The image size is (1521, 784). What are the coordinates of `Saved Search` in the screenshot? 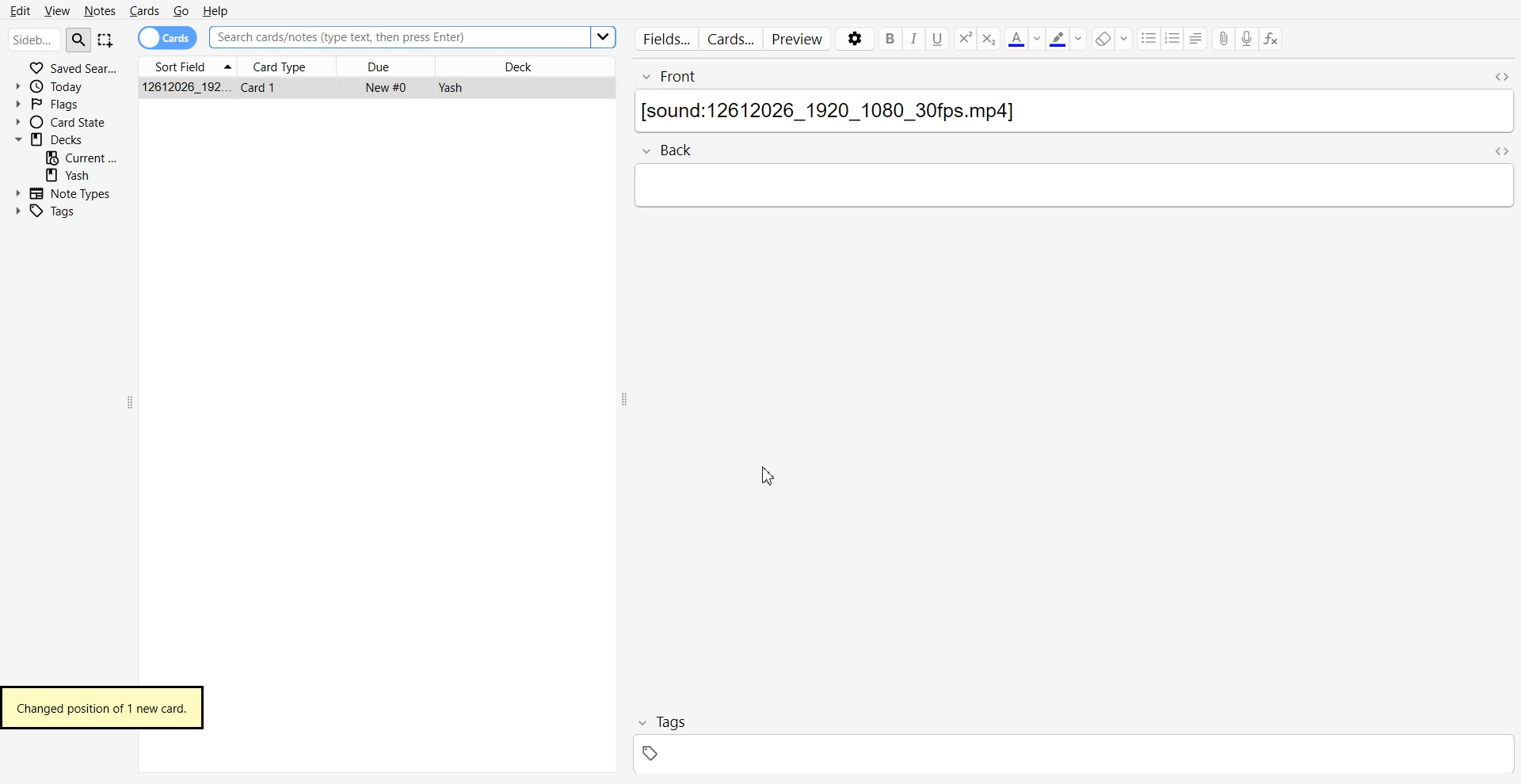 It's located at (67, 67).